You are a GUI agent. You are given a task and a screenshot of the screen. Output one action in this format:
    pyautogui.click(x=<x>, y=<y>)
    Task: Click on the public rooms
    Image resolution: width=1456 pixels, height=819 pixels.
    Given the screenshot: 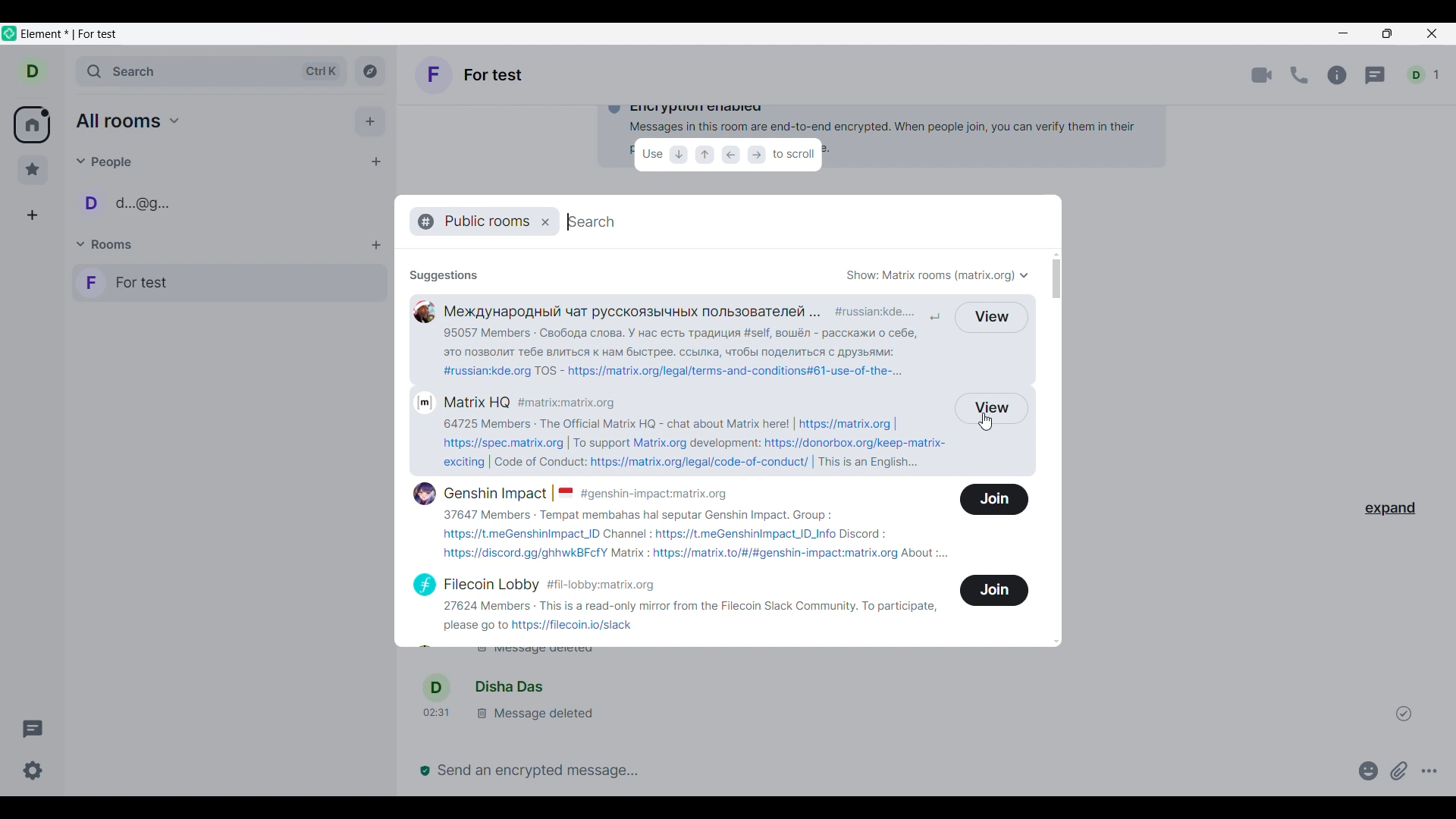 What is the action you would take?
    pyautogui.click(x=481, y=221)
    